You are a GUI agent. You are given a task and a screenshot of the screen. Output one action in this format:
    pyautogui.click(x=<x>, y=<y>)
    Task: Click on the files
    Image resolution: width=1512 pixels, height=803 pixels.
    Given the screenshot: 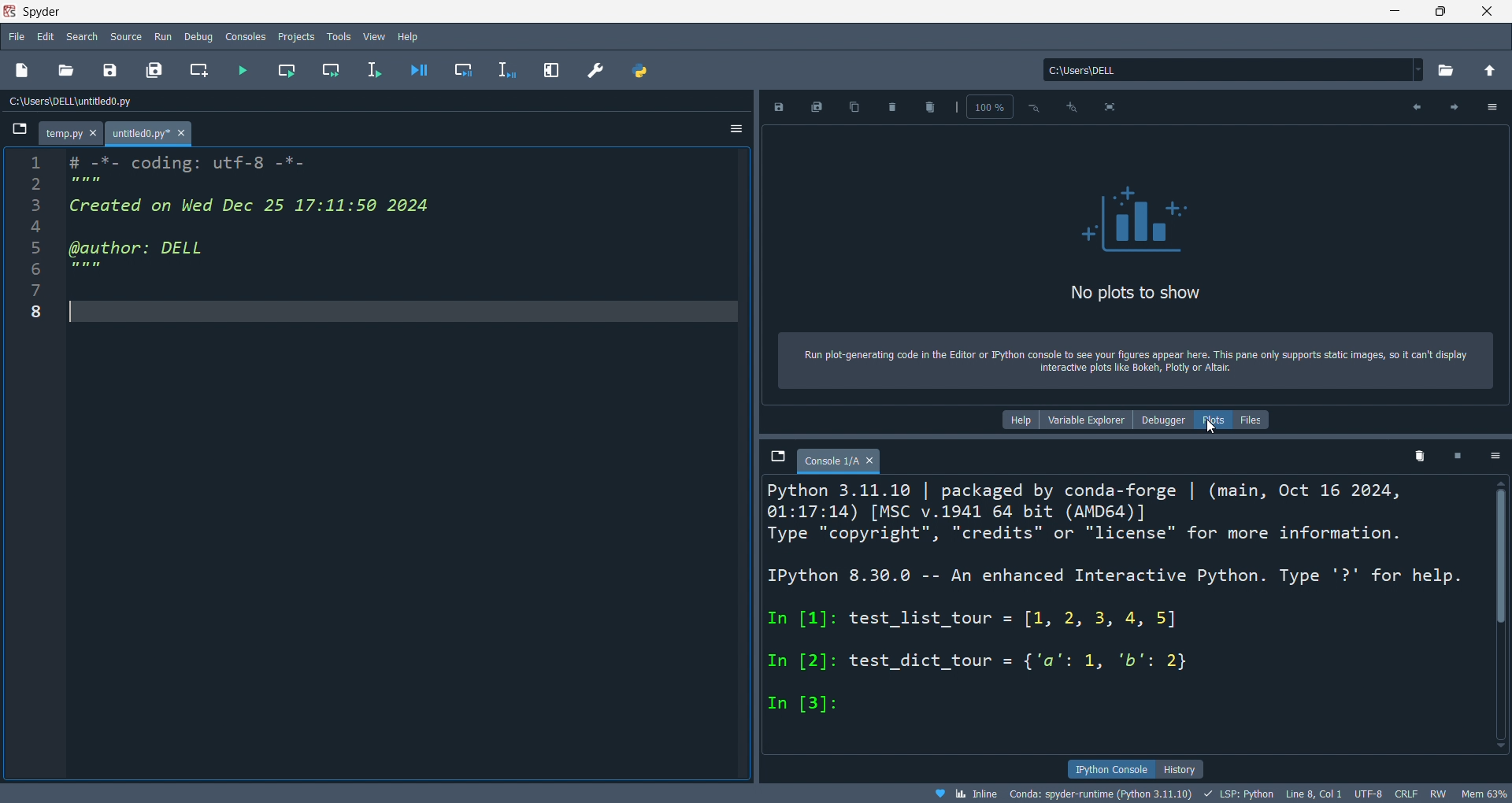 What is the action you would take?
    pyautogui.click(x=1254, y=420)
    